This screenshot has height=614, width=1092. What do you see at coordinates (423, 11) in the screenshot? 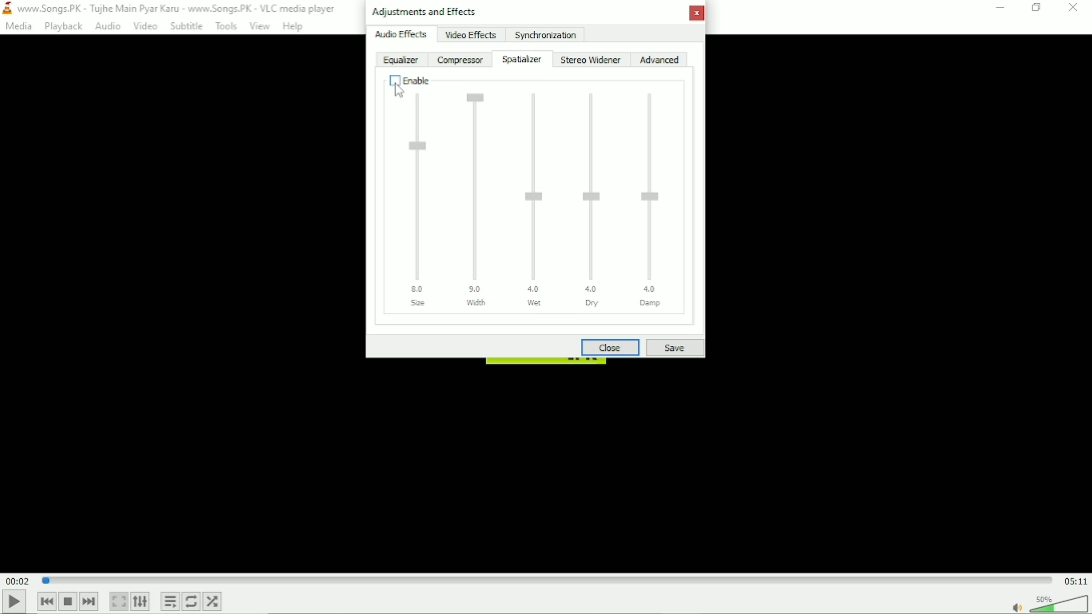
I see `Adjustments and effects` at bounding box center [423, 11].